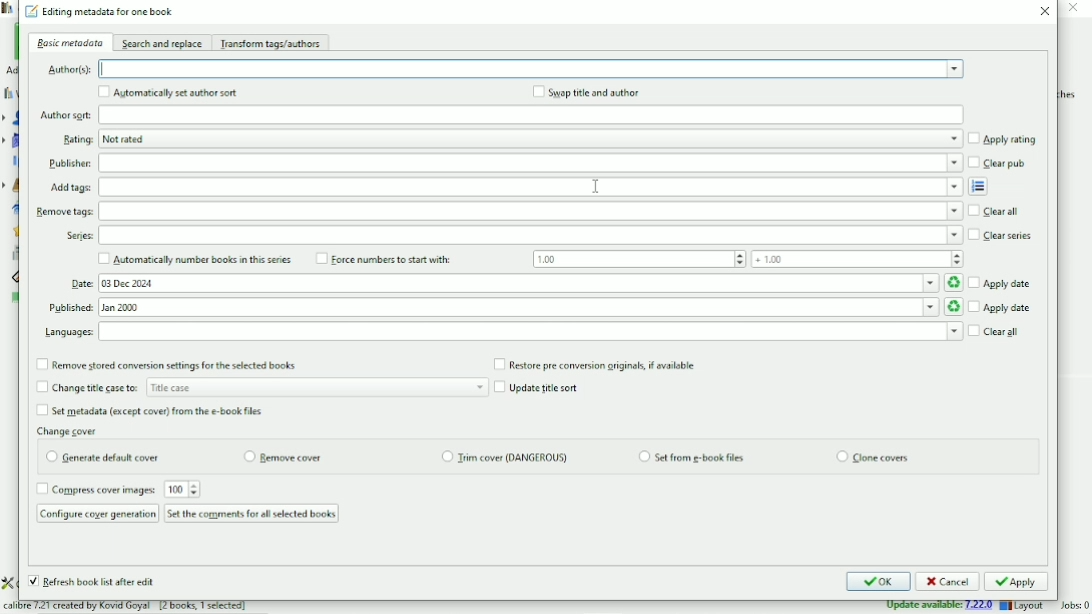  Describe the element at coordinates (1002, 283) in the screenshot. I see `Apply date` at that location.